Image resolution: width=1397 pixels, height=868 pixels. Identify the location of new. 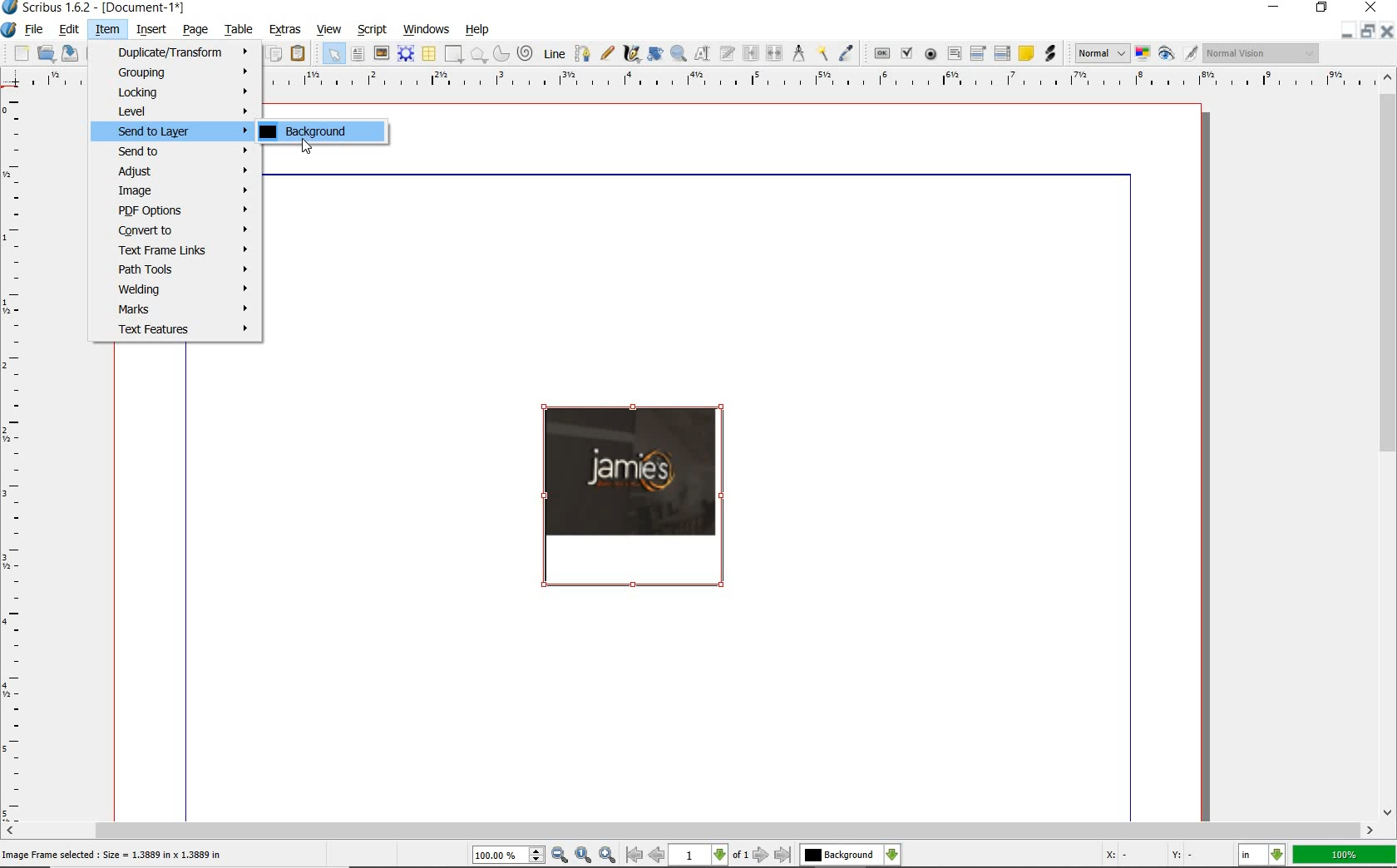
(19, 52).